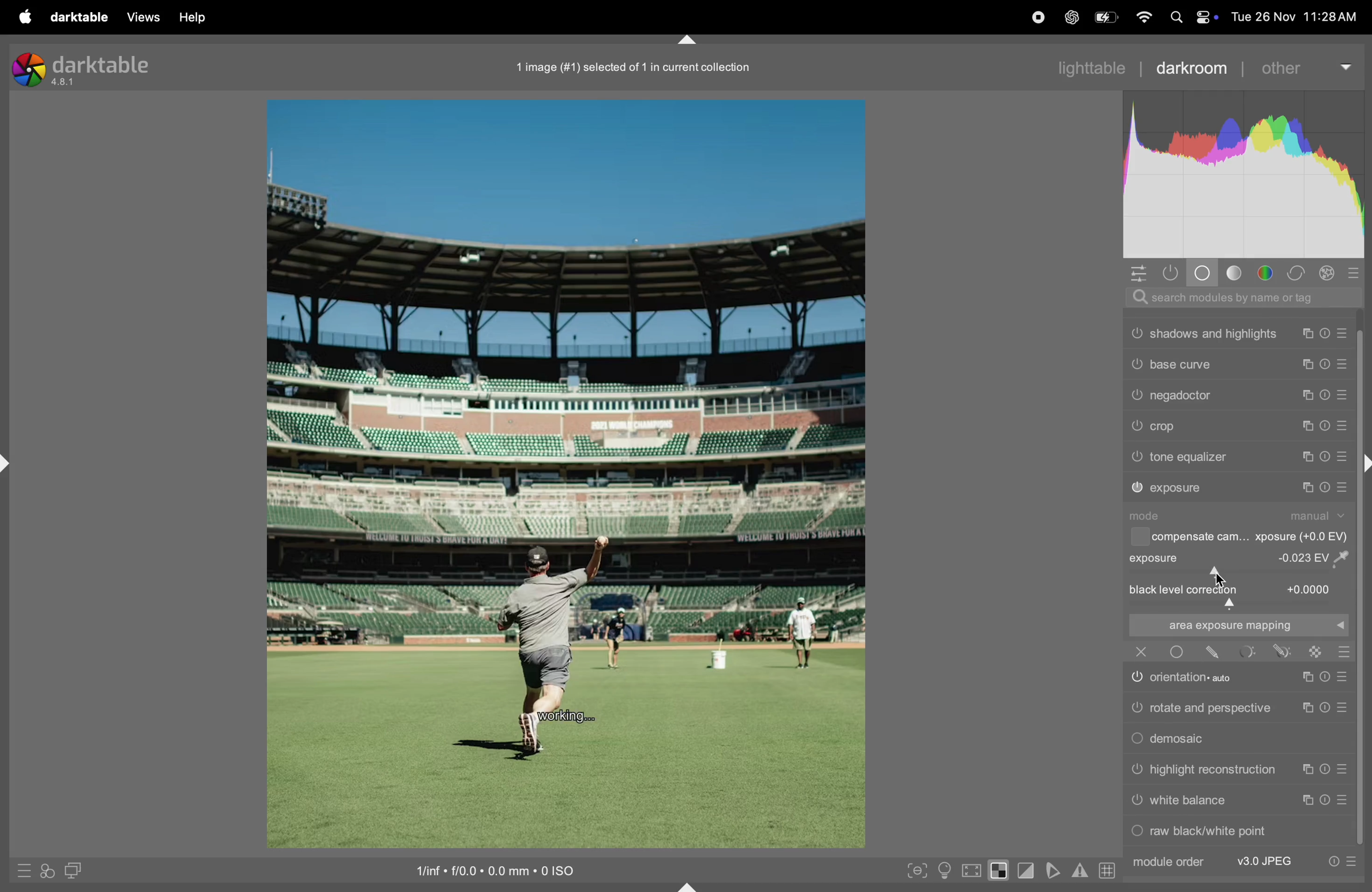  What do you see at coordinates (1308, 365) in the screenshot?
I see `copy` at bounding box center [1308, 365].